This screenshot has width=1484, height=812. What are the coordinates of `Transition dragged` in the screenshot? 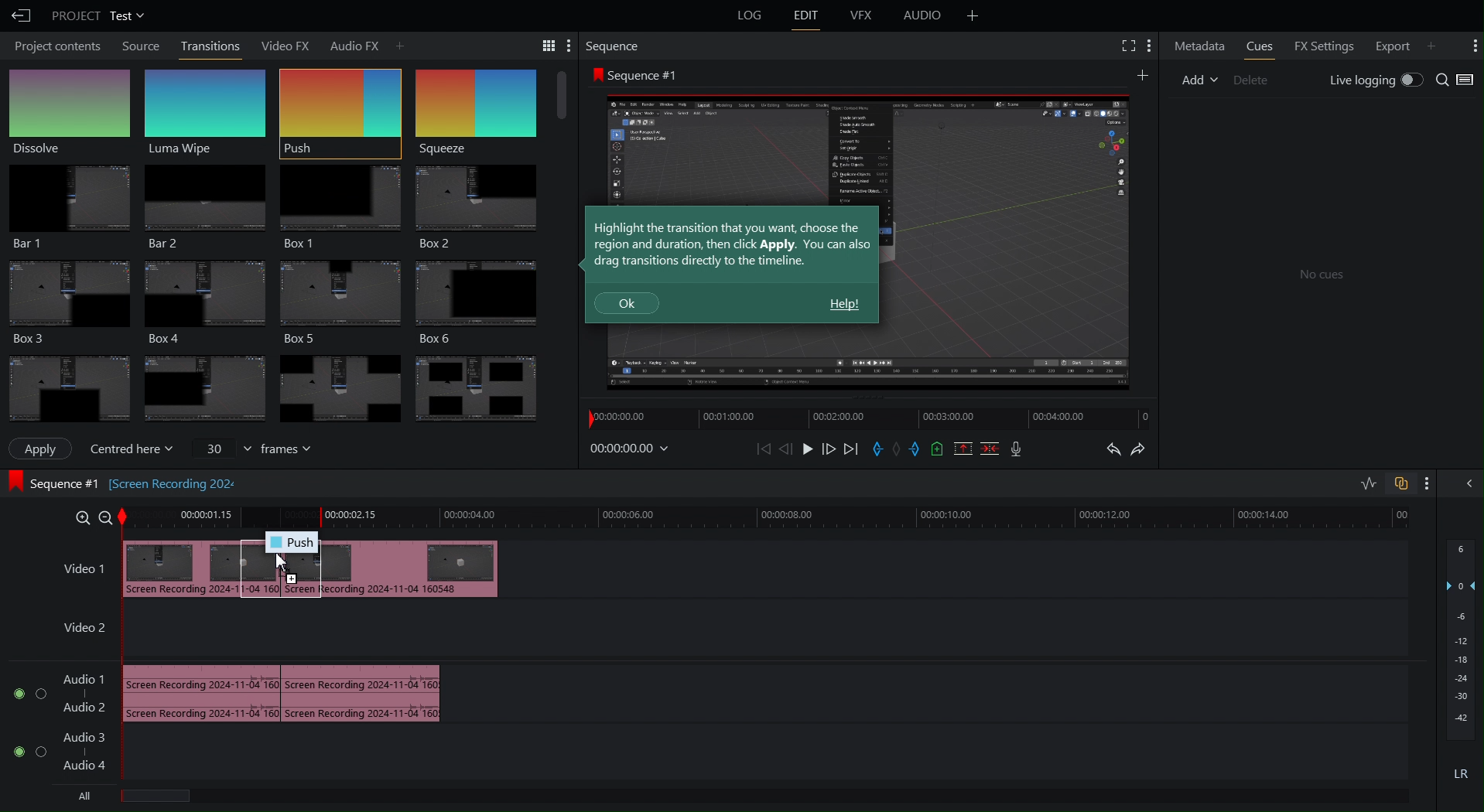 It's located at (325, 571).